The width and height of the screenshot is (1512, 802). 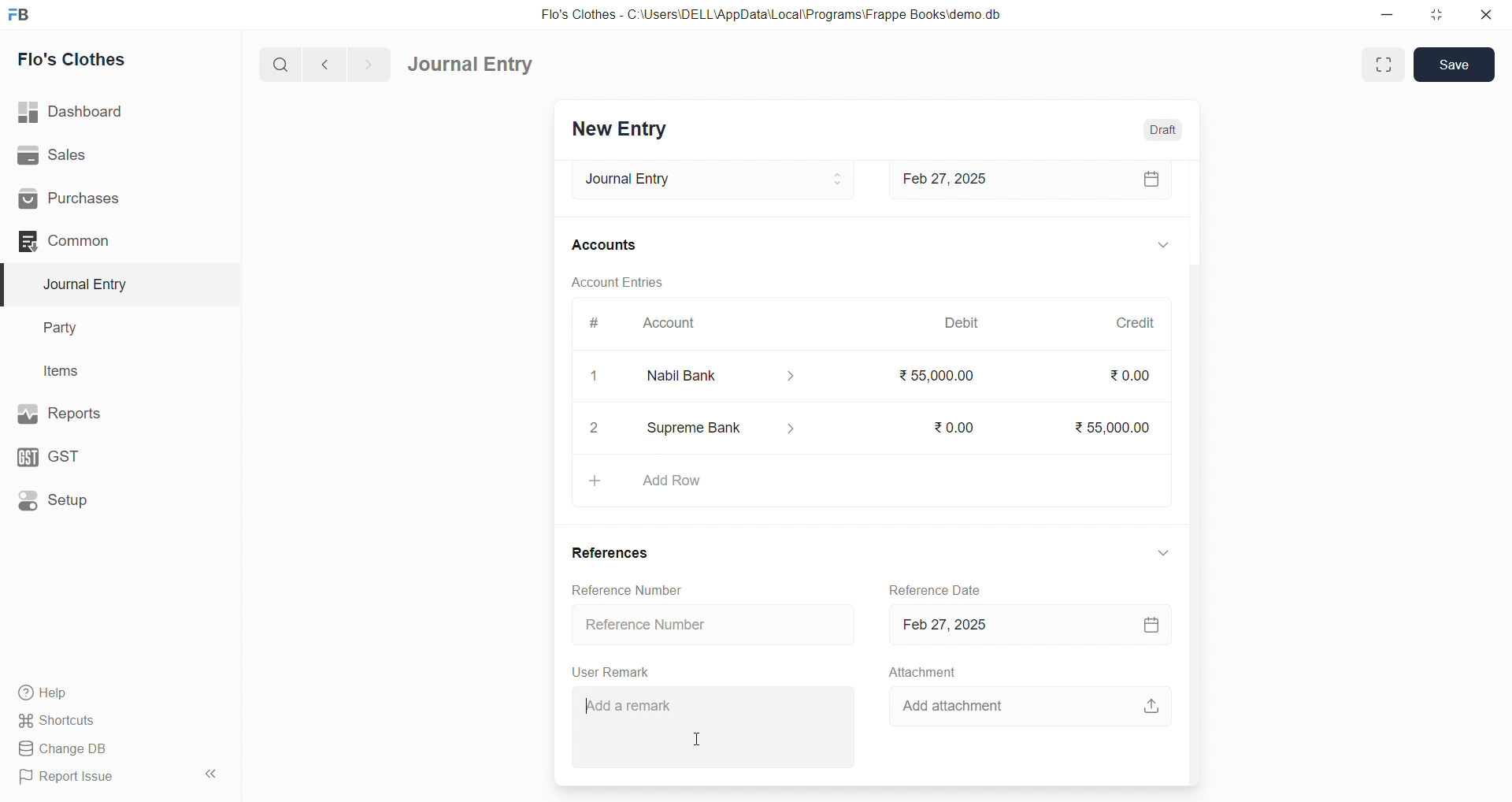 What do you see at coordinates (611, 555) in the screenshot?
I see `References` at bounding box center [611, 555].